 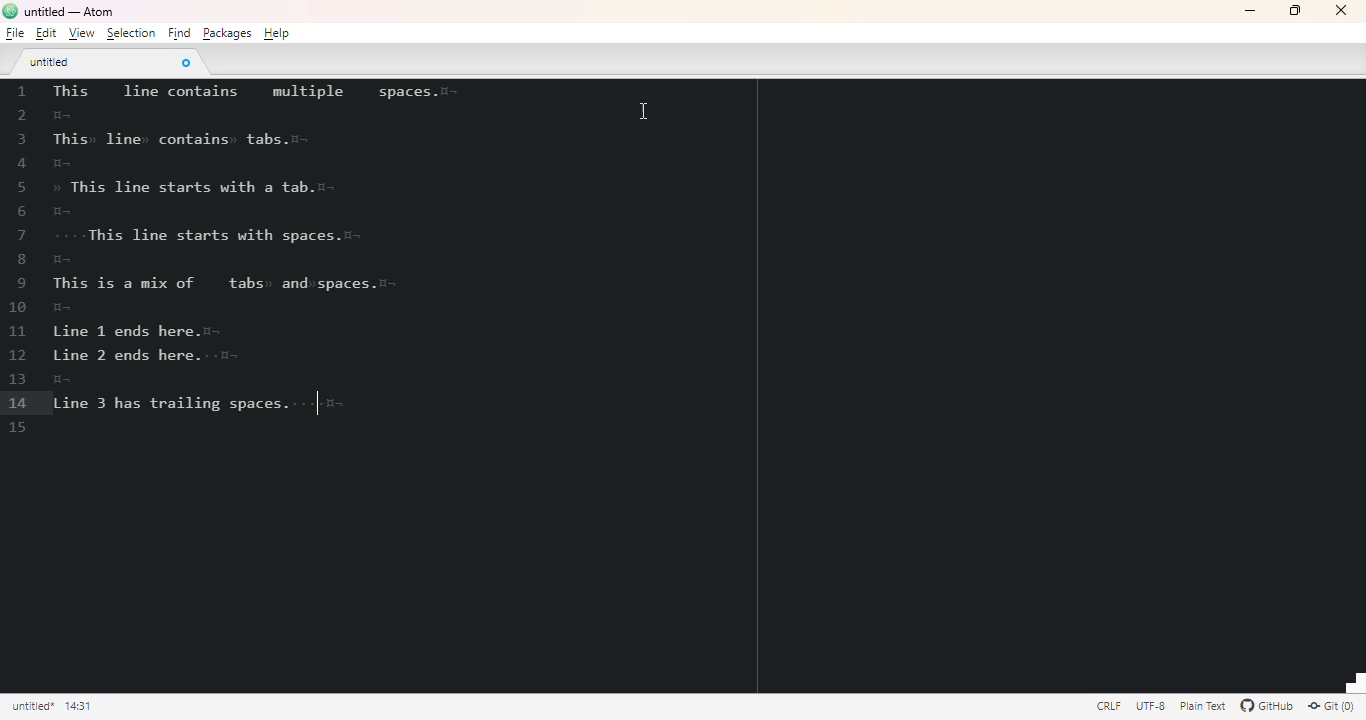 I want to click on invisible characters, so click(x=301, y=139).